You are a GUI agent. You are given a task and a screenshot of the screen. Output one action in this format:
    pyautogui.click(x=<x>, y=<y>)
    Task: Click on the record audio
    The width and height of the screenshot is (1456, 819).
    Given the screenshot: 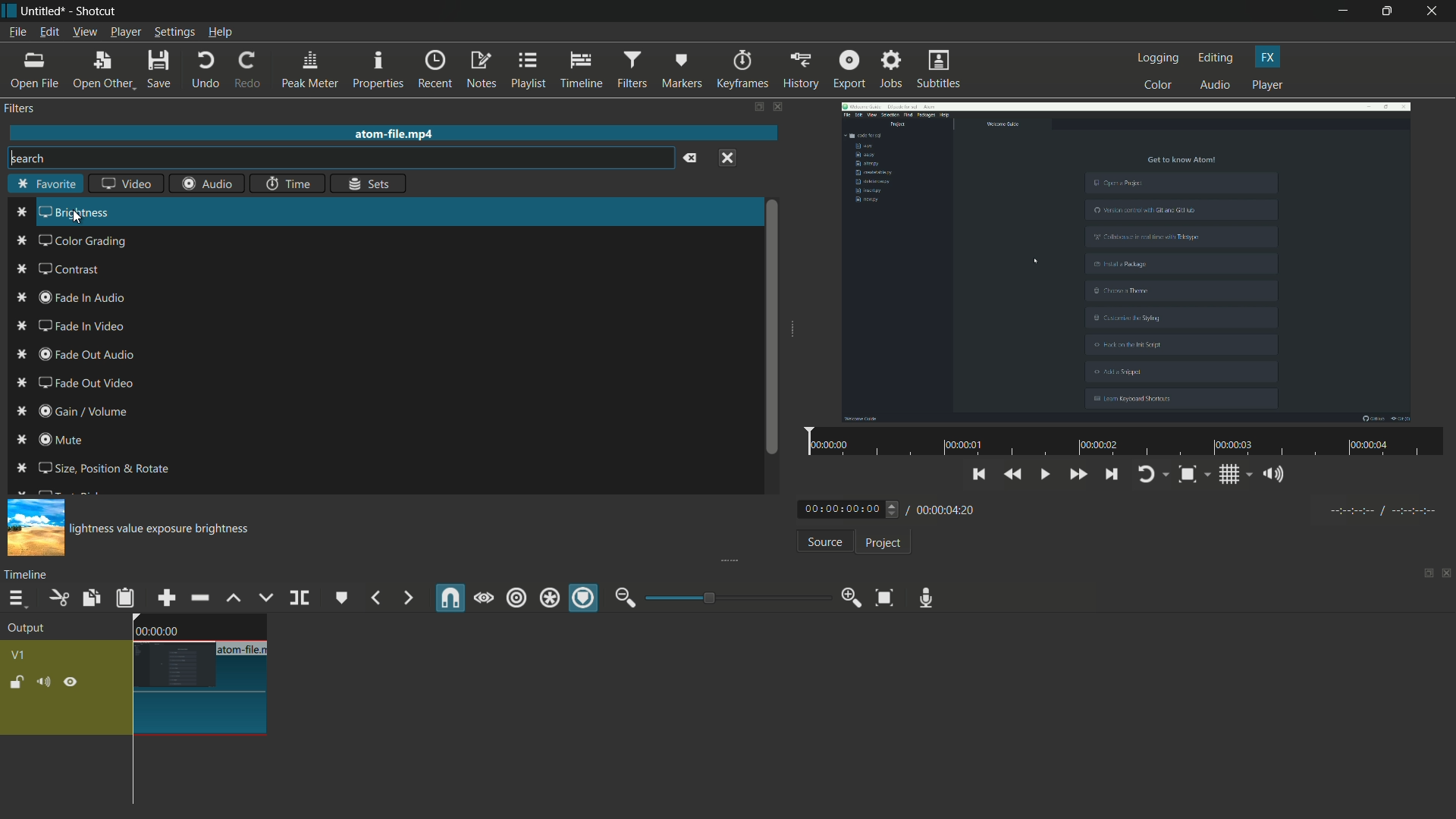 What is the action you would take?
    pyautogui.click(x=922, y=598)
    